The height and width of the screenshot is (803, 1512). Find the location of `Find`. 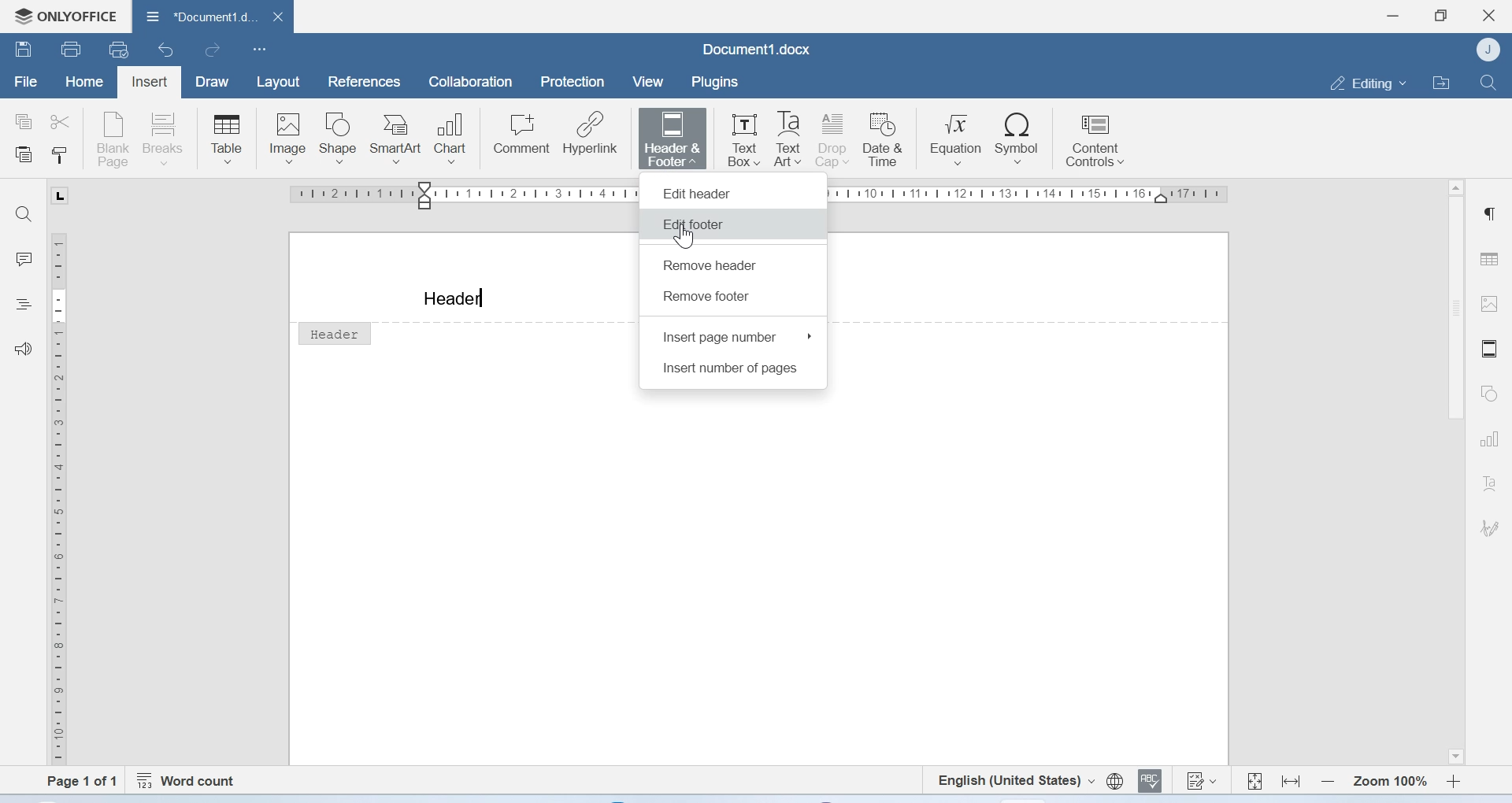

Find is located at coordinates (1488, 82).